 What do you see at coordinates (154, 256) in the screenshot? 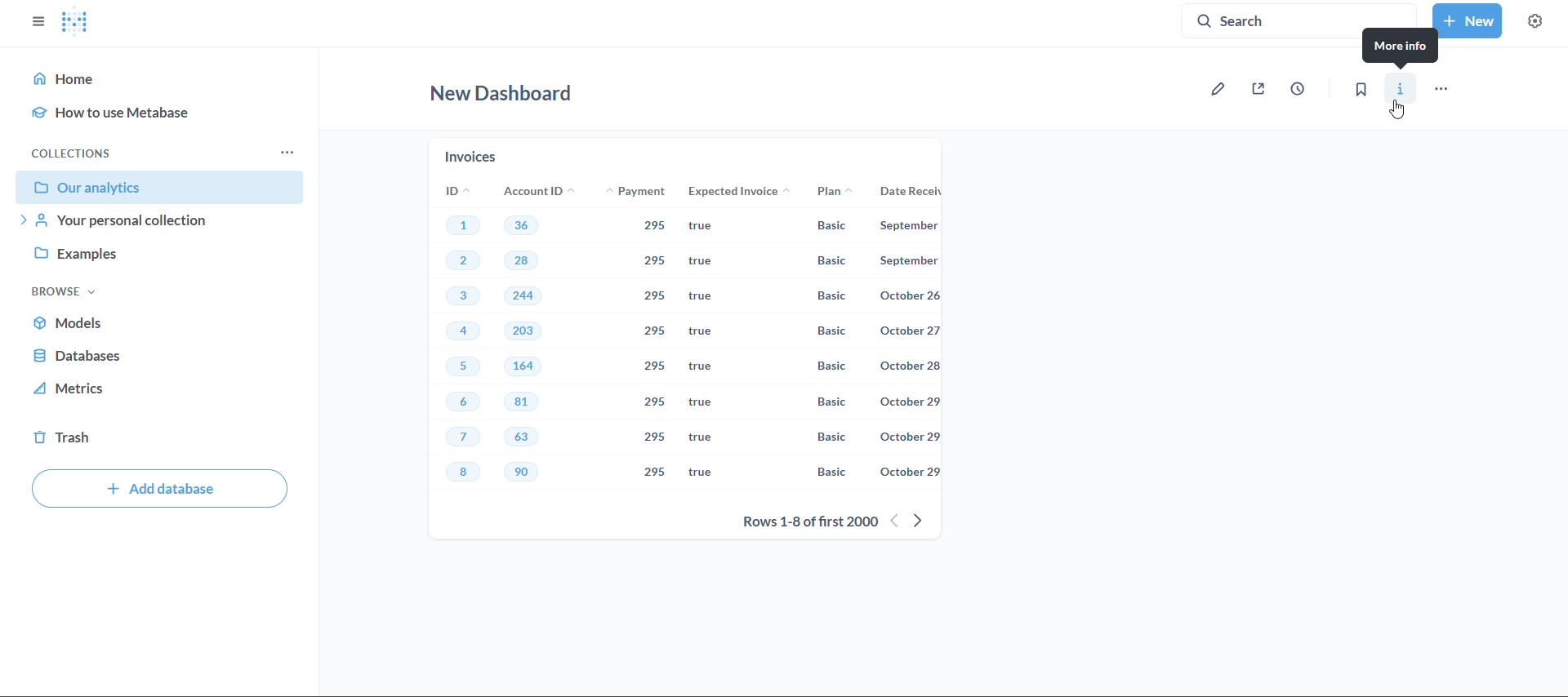
I see `examples` at bounding box center [154, 256].